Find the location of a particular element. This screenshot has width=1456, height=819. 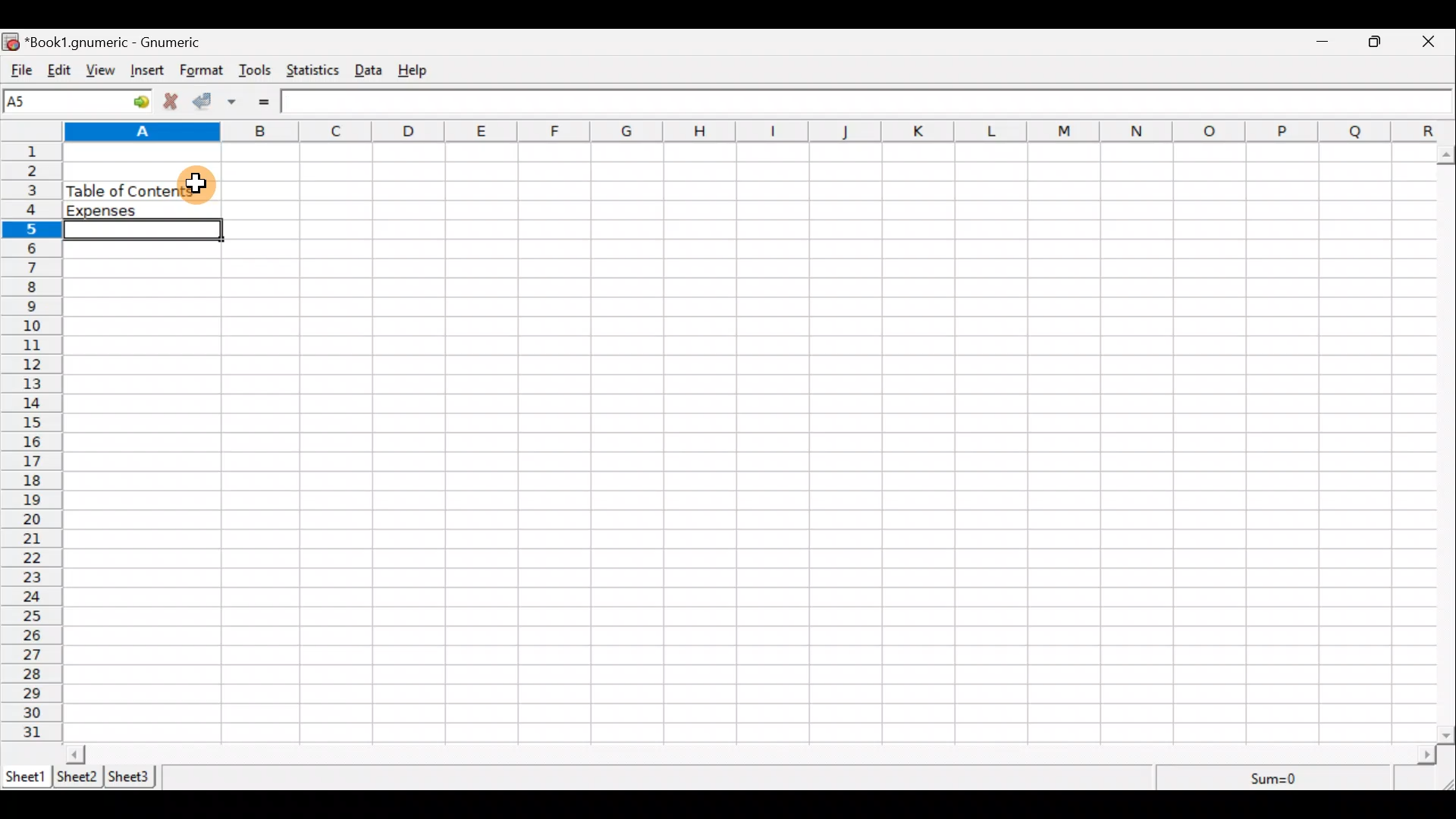

alphabets row is located at coordinates (740, 132).